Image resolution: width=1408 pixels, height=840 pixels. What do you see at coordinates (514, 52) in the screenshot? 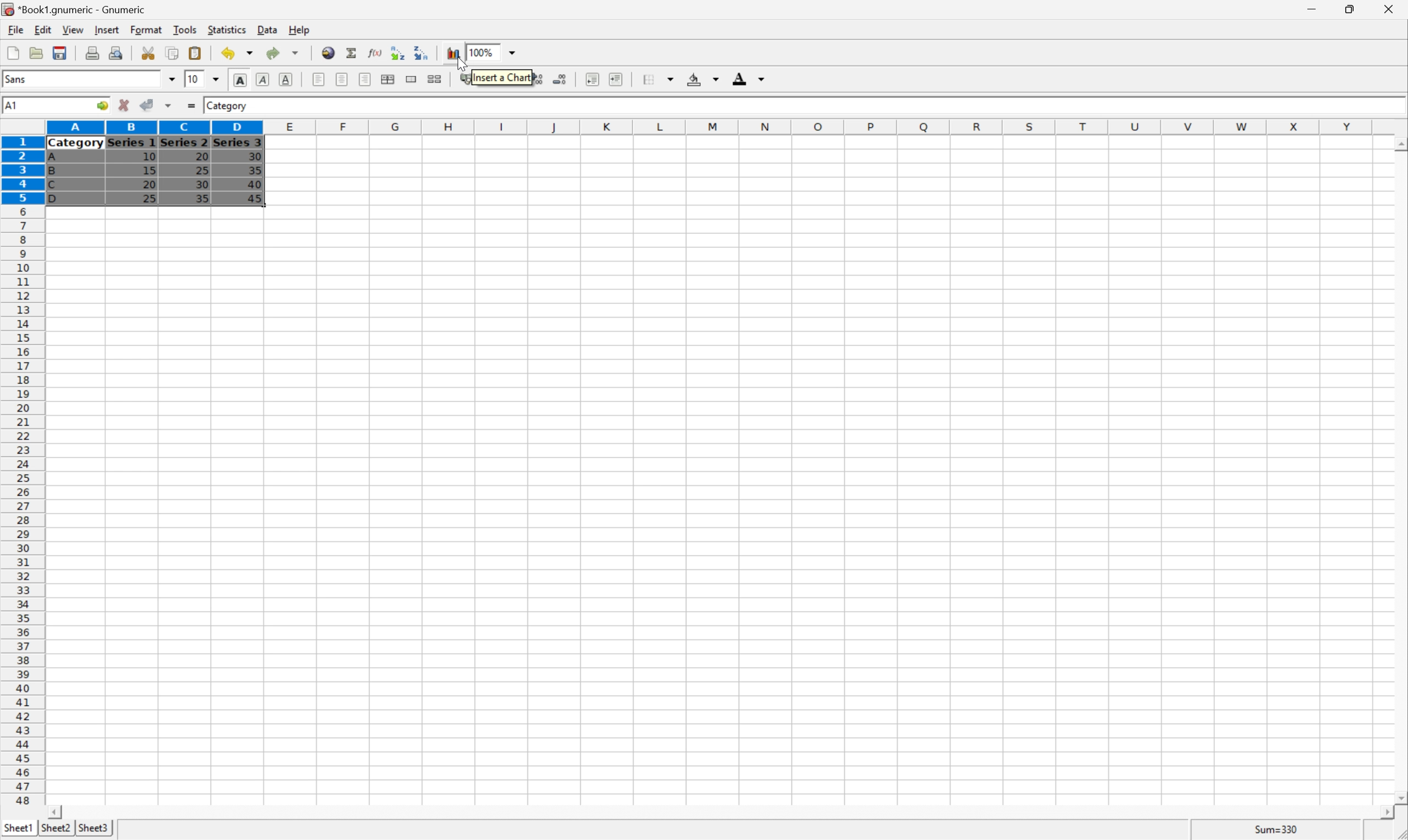
I see `Drop Down` at bounding box center [514, 52].